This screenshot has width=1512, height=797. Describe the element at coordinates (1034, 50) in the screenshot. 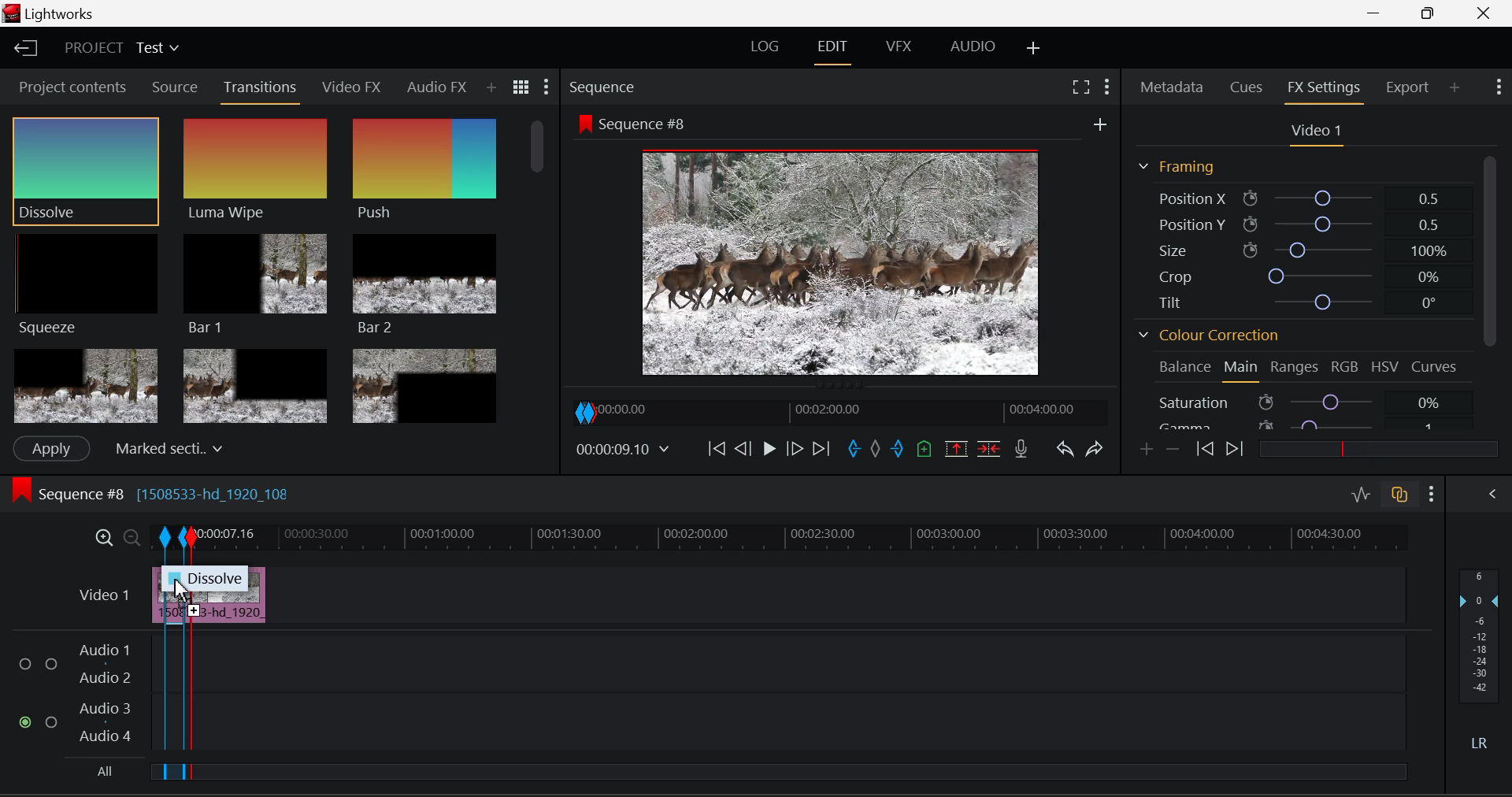

I see `Add Layout` at that location.